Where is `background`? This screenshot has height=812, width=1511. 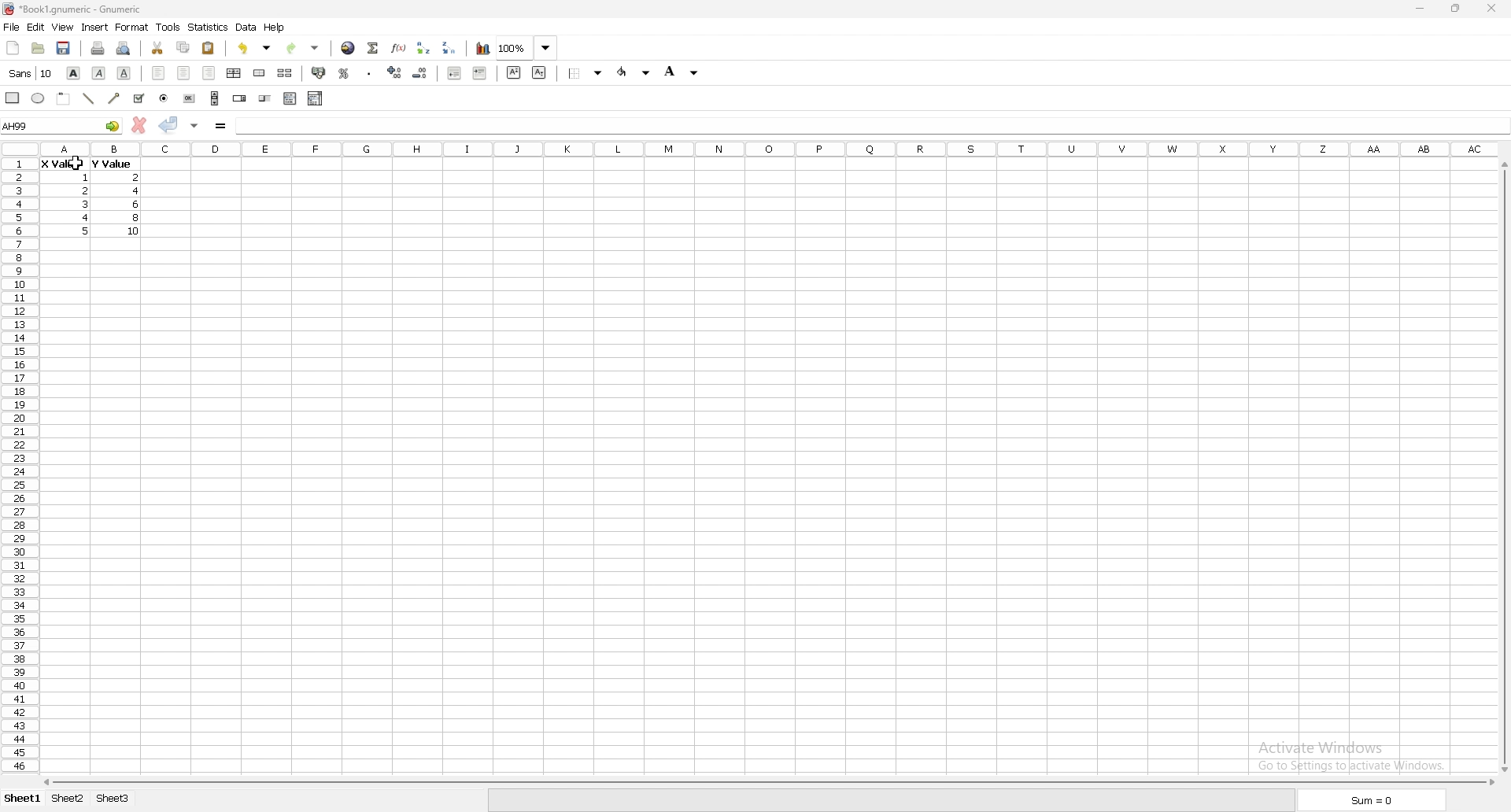
background is located at coordinates (682, 71).